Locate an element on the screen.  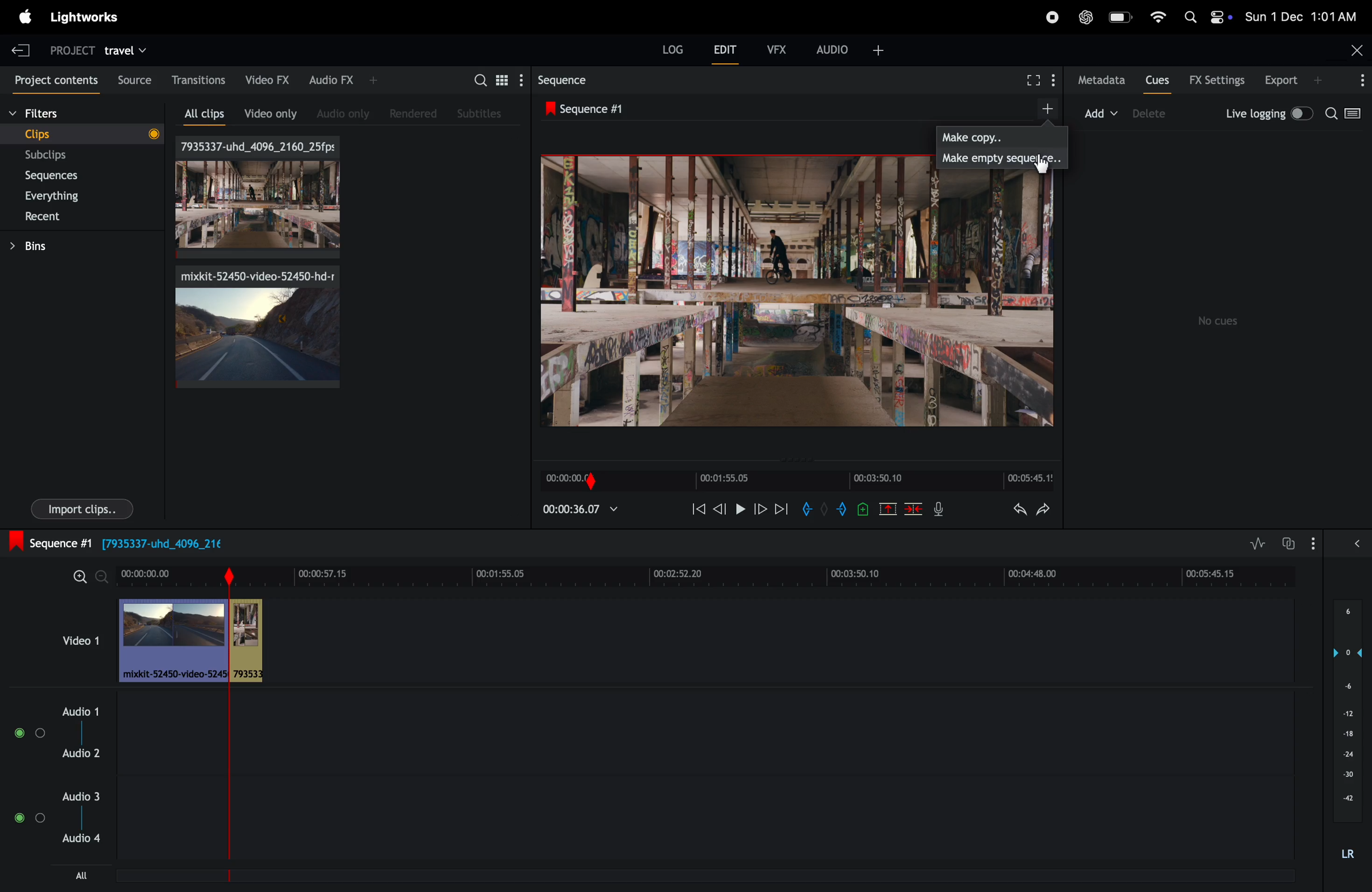
apple menu is located at coordinates (25, 17).